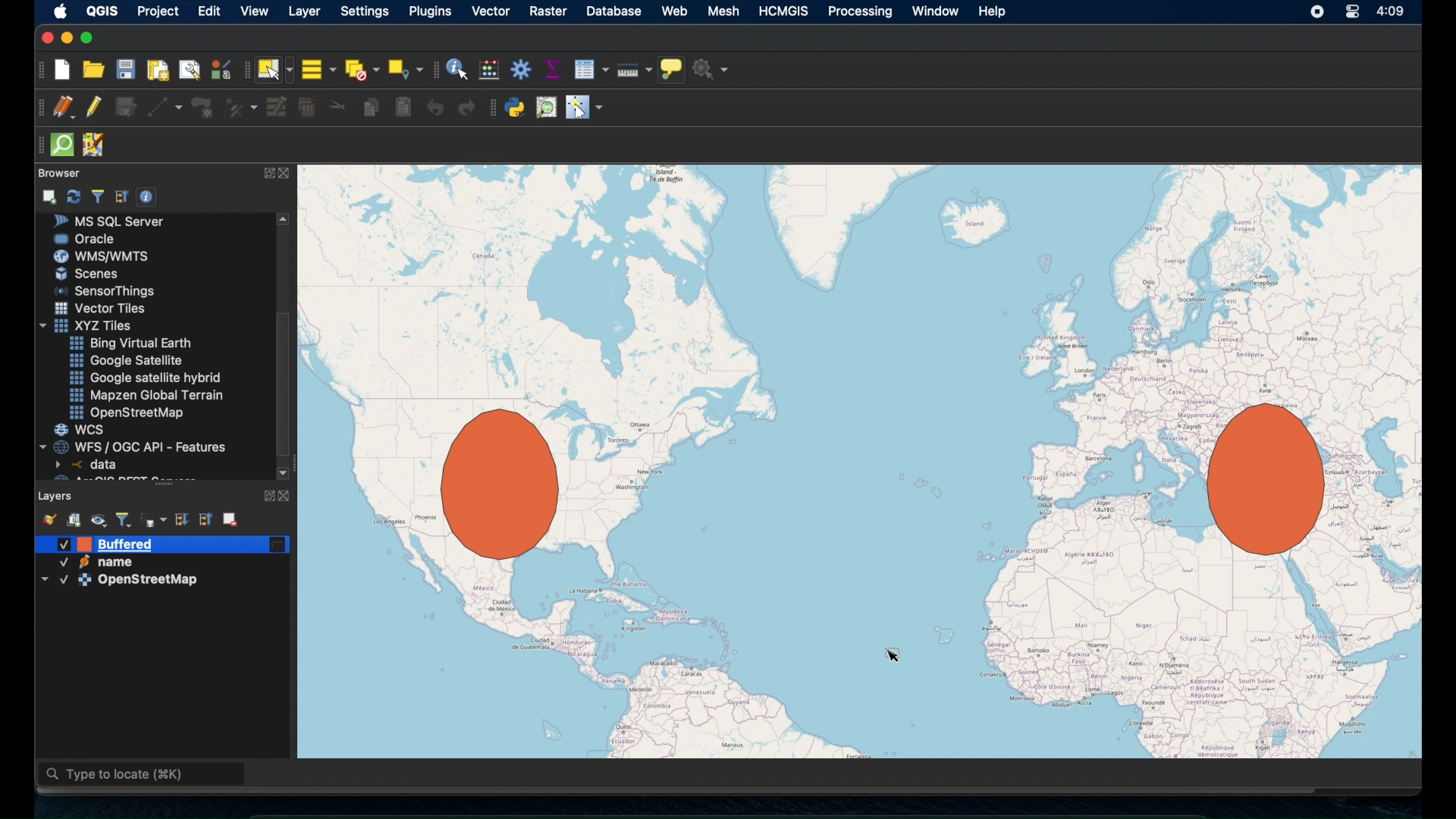  I want to click on google satellite, so click(125, 361).